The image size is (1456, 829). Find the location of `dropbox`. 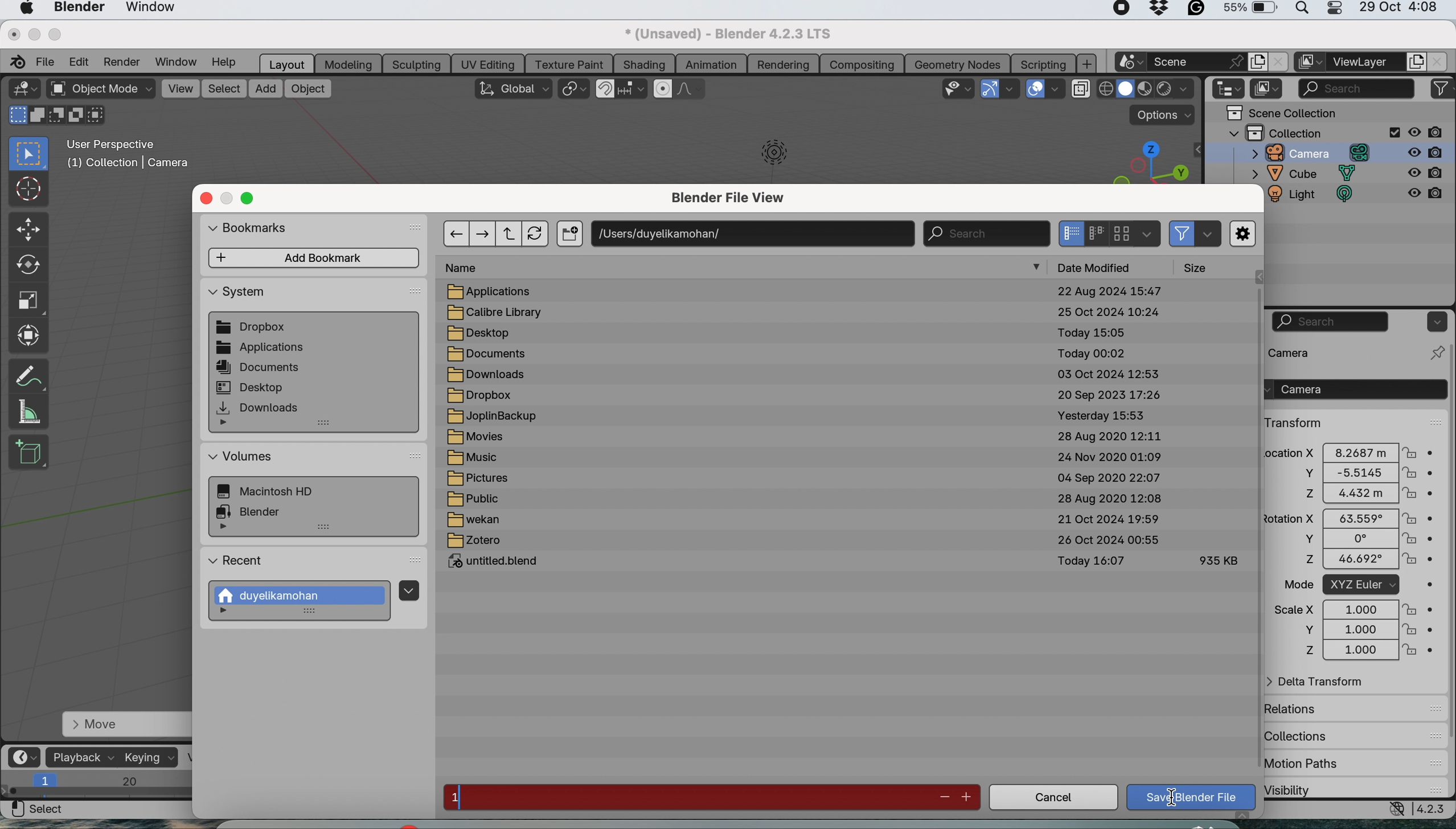

dropbox is located at coordinates (482, 395).